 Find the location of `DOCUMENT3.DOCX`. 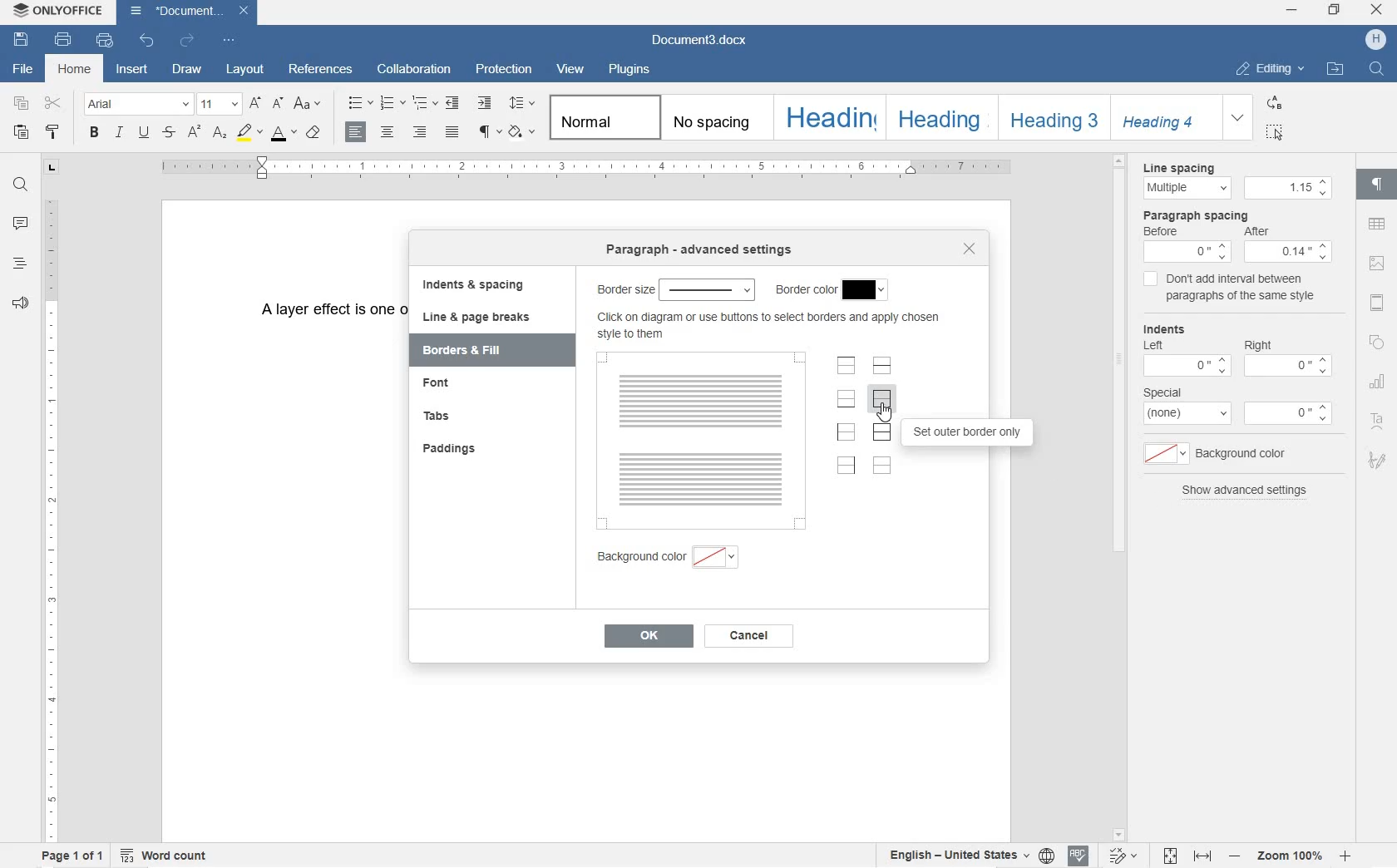

DOCUMENT3.DOCX is located at coordinates (704, 38).